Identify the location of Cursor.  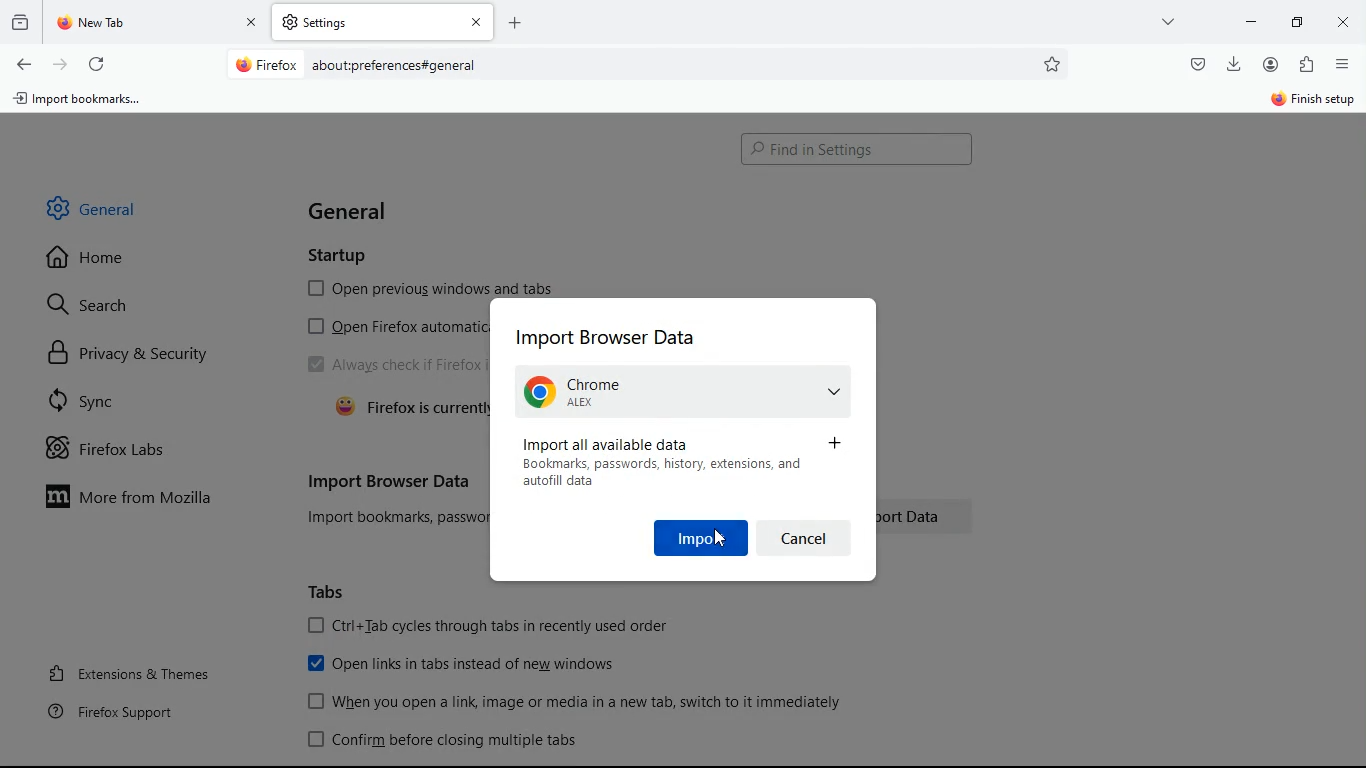
(722, 537).